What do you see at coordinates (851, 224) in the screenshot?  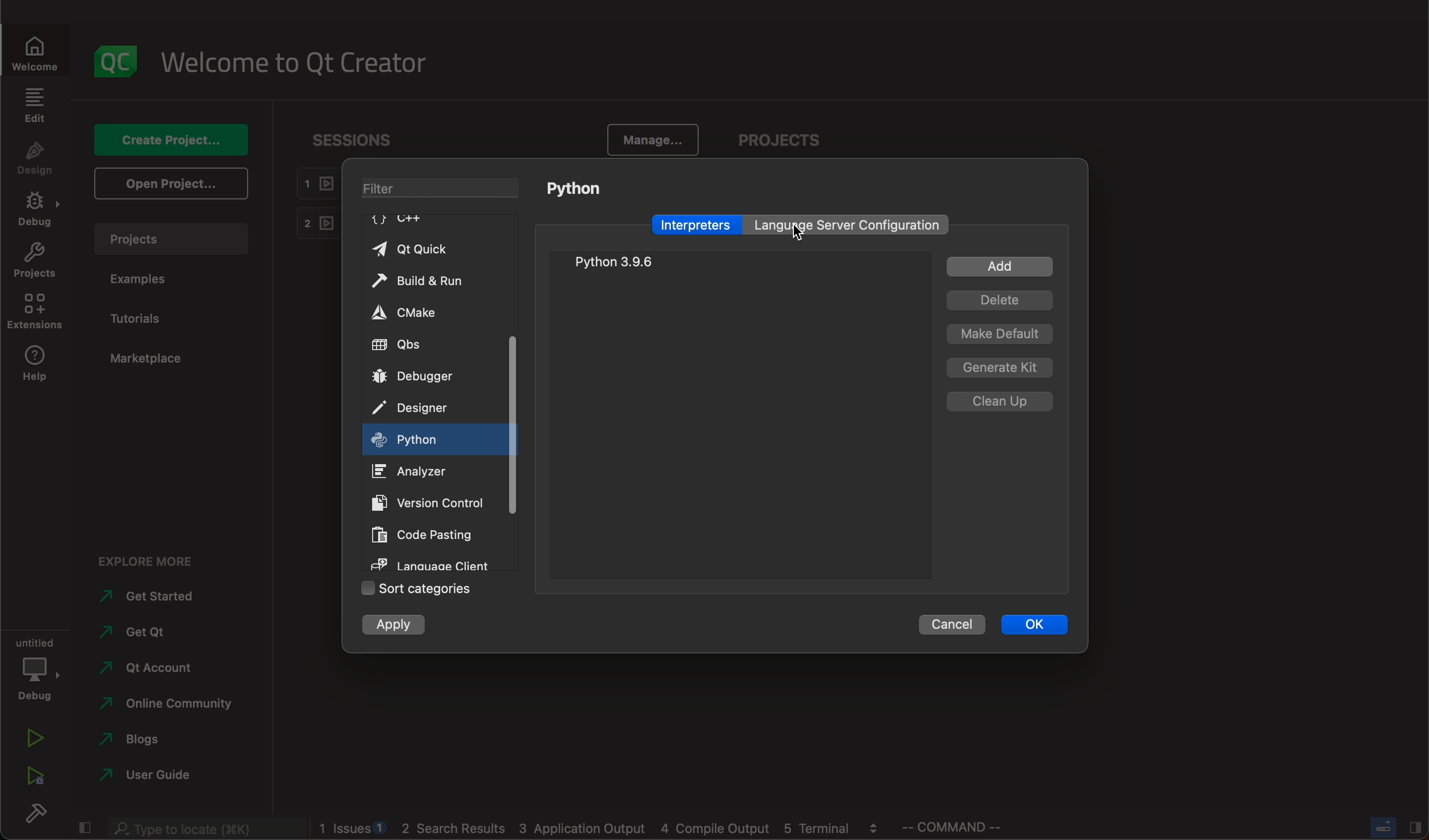 I see `language server` at bounding box center [851, 224].